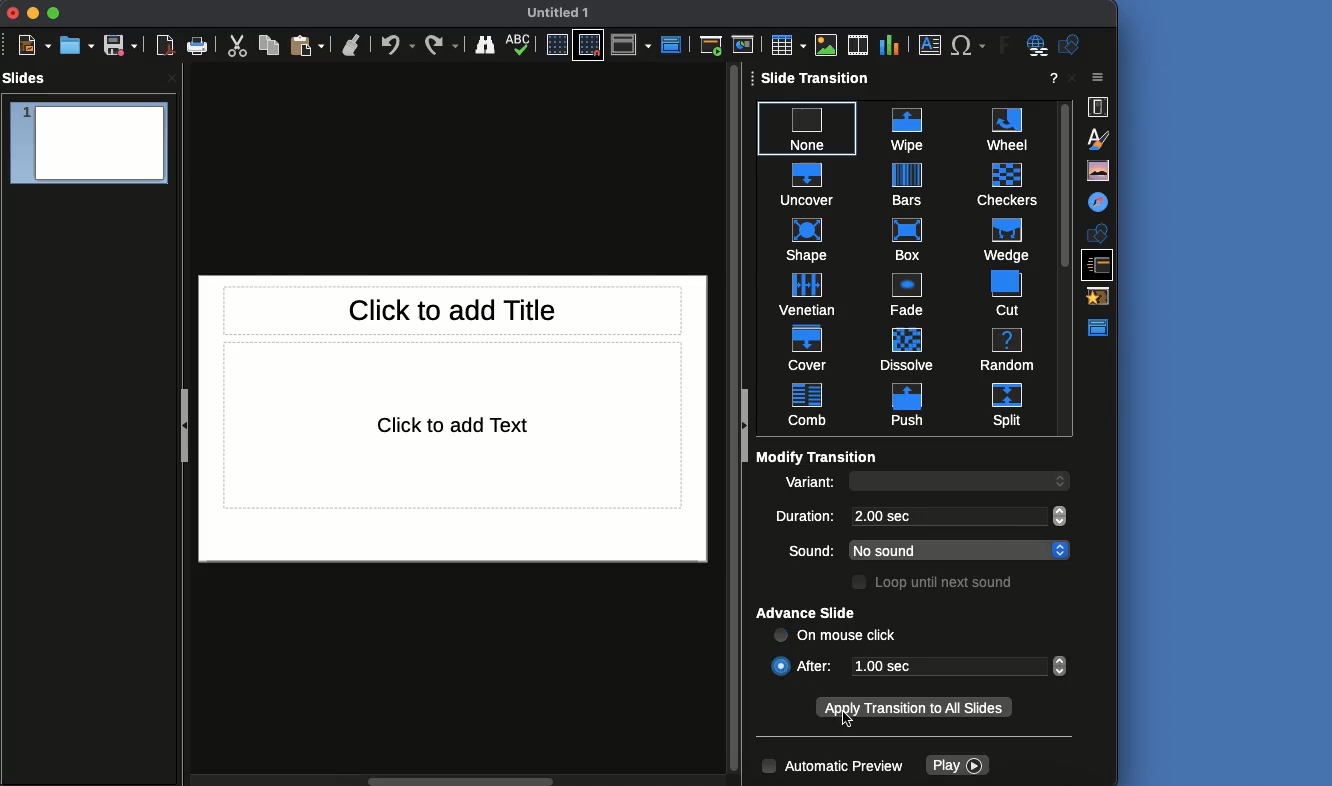 This screenshot has width=1332, height=786. What do you see at coordinates (559, 12) in the screenshot?
I see `` at bounding box center [559, 12].